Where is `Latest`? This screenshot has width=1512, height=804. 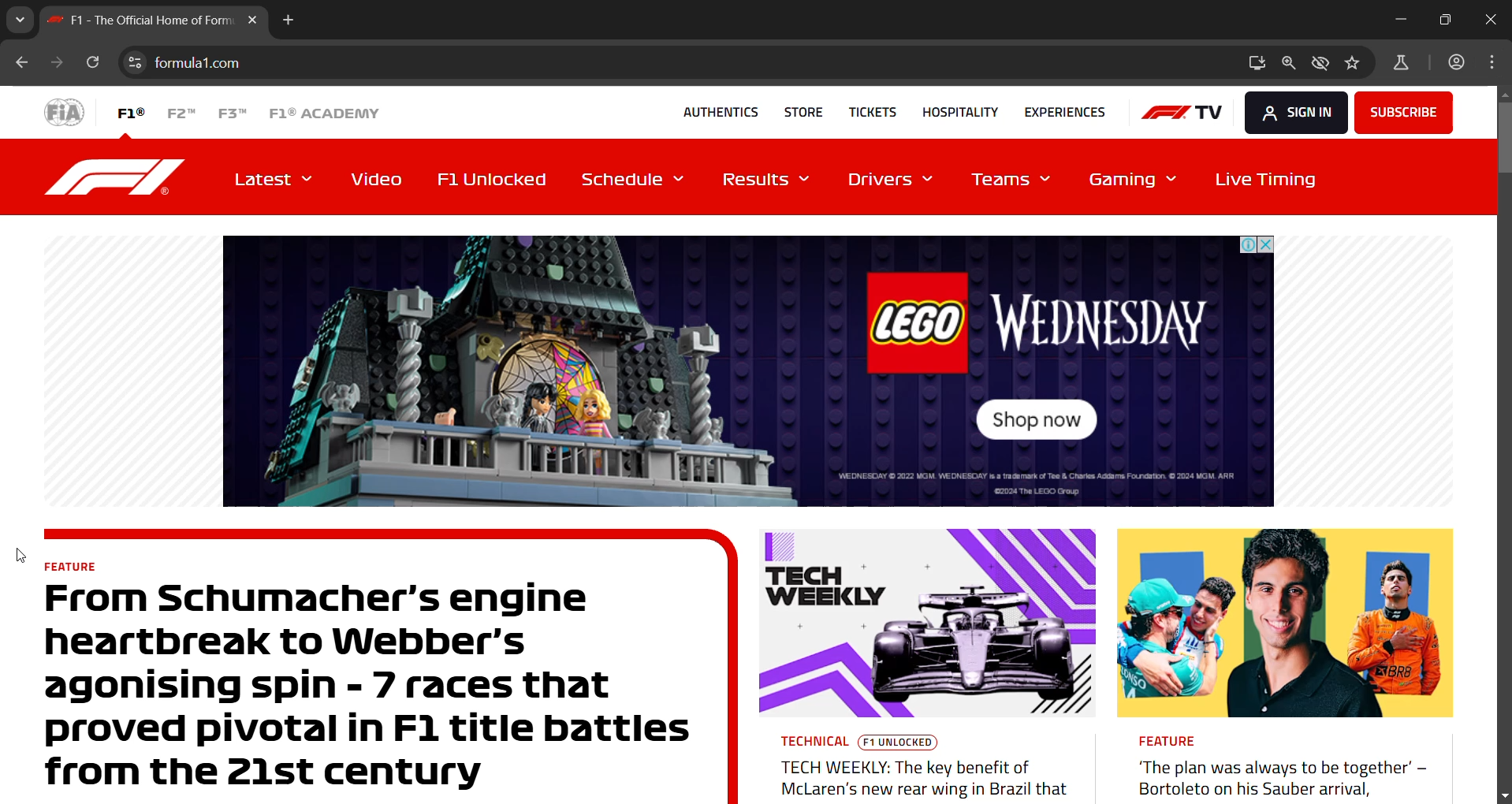
Latest is located at coordinates (277, 178).